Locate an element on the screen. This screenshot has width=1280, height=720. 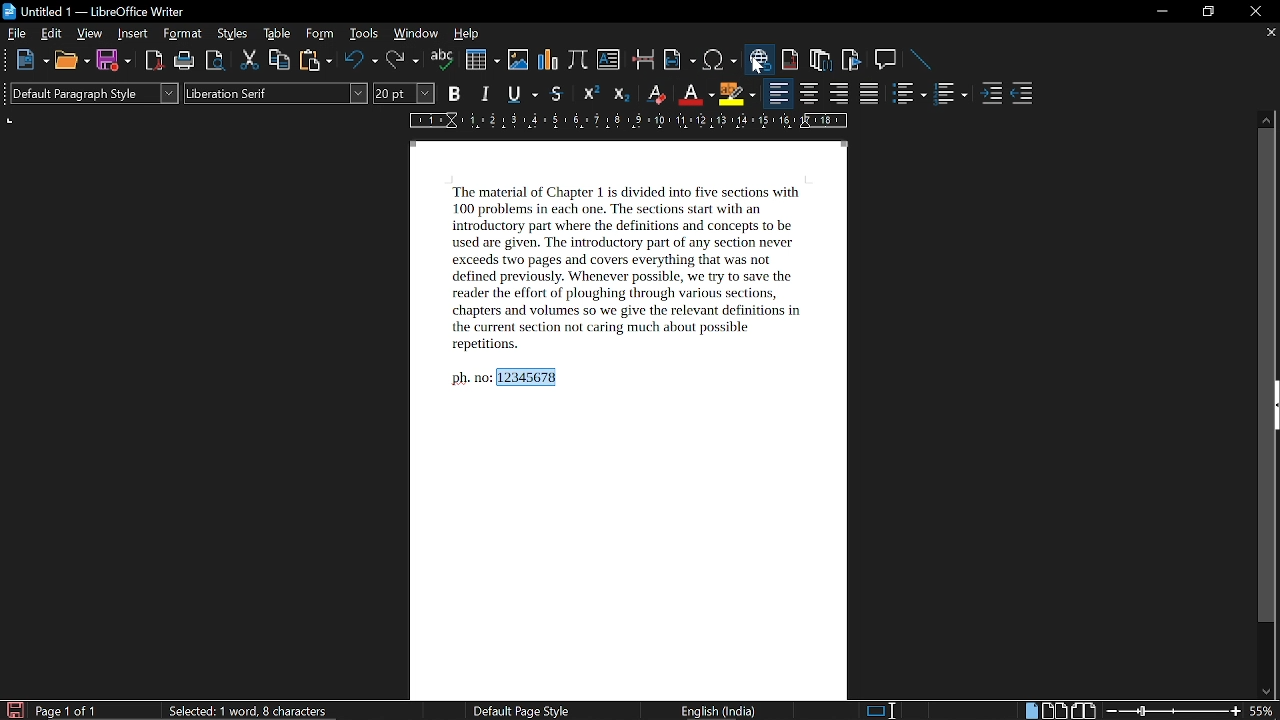
minimize is located at coordinates (1162, 12).